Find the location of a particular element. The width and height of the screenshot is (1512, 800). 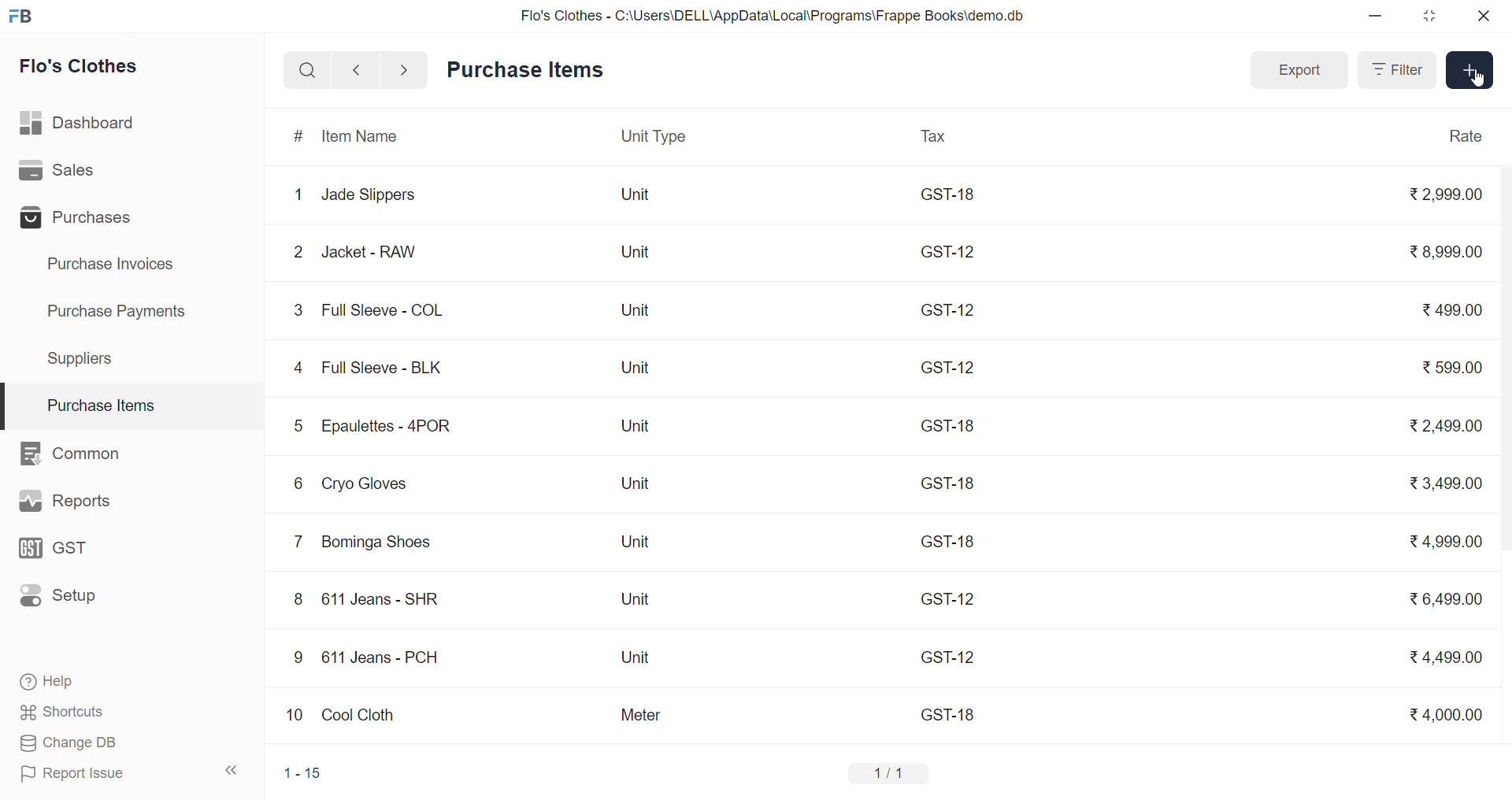

4 is located at coordinates (298, 367).